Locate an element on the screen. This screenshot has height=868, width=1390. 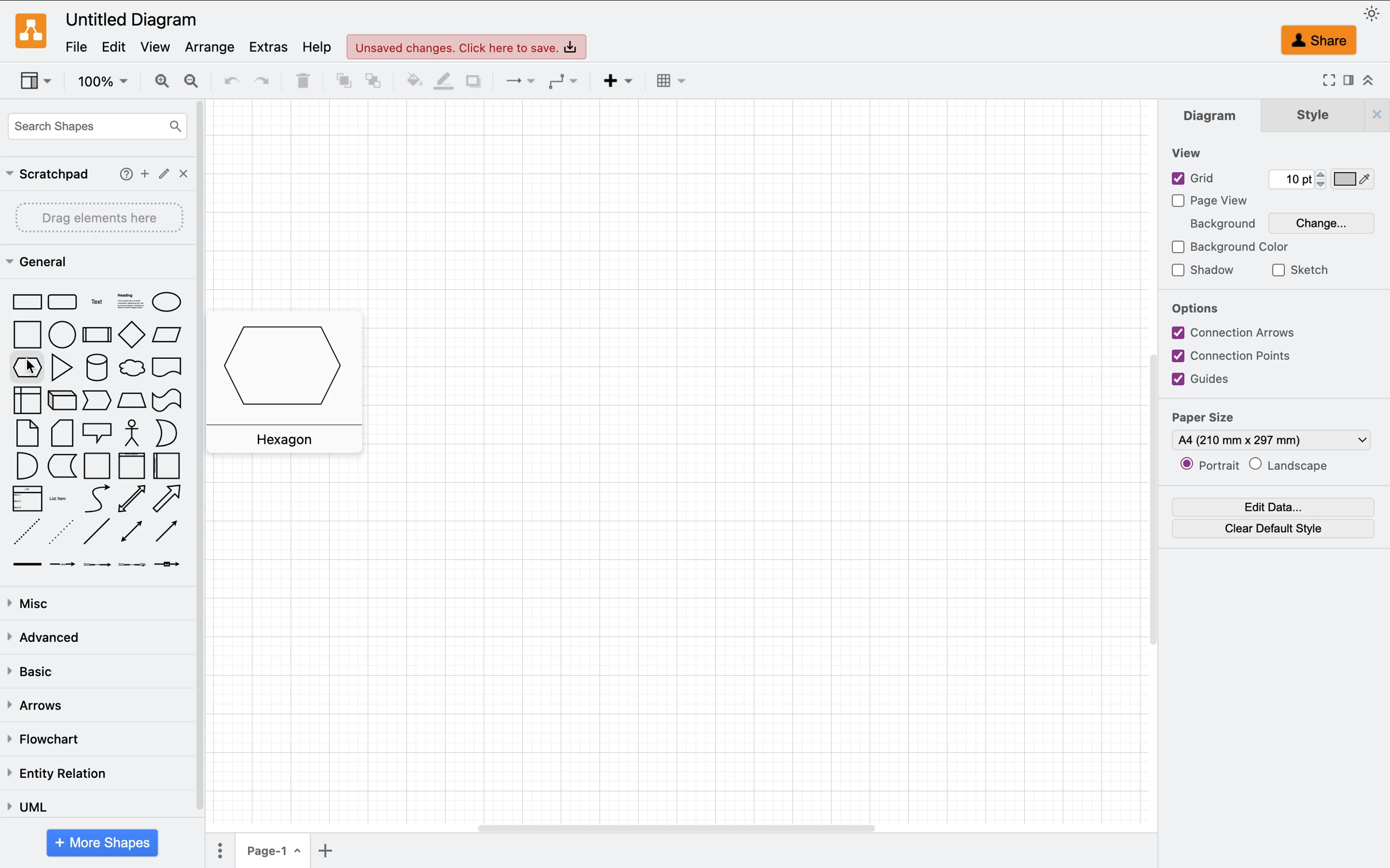
flowchart is located at coordinates (41, 737).